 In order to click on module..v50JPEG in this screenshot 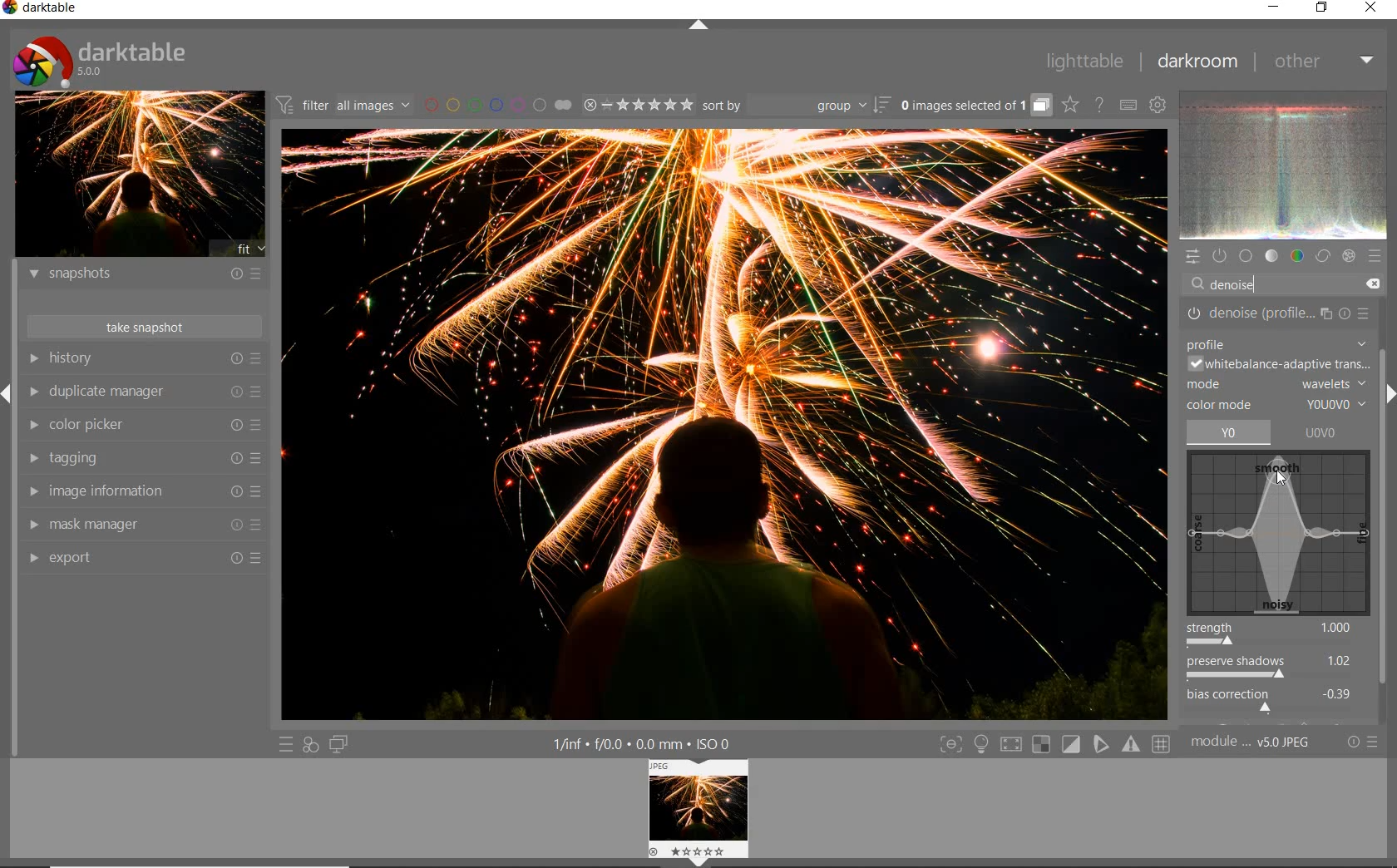, I will do `click(1249, 742)`.